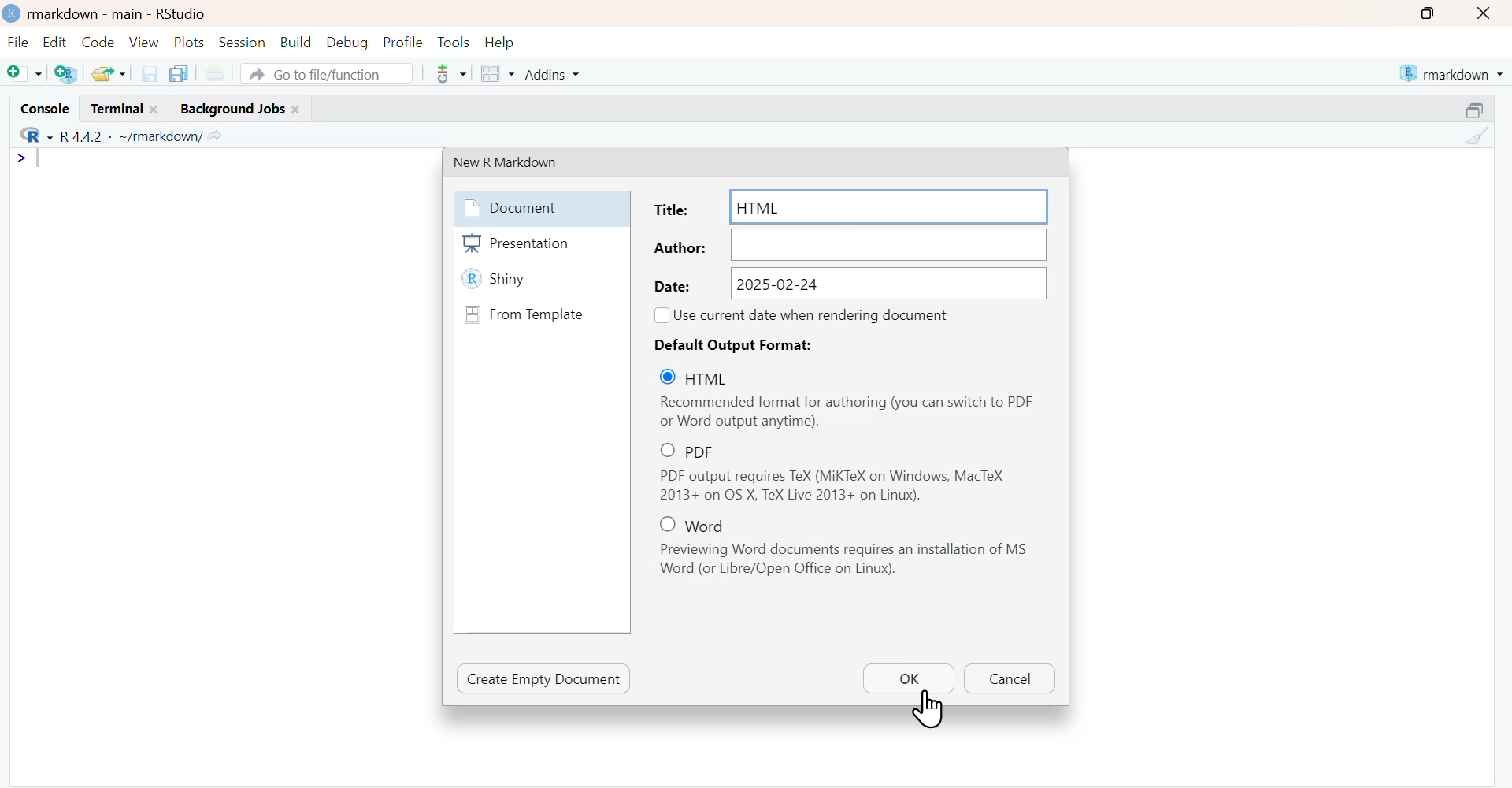 The height and width of the screenshot is (788, 1512). What do you see at coordinates (700, 524) in the screenshot?
I see `word` at bounding box center [700, 524].